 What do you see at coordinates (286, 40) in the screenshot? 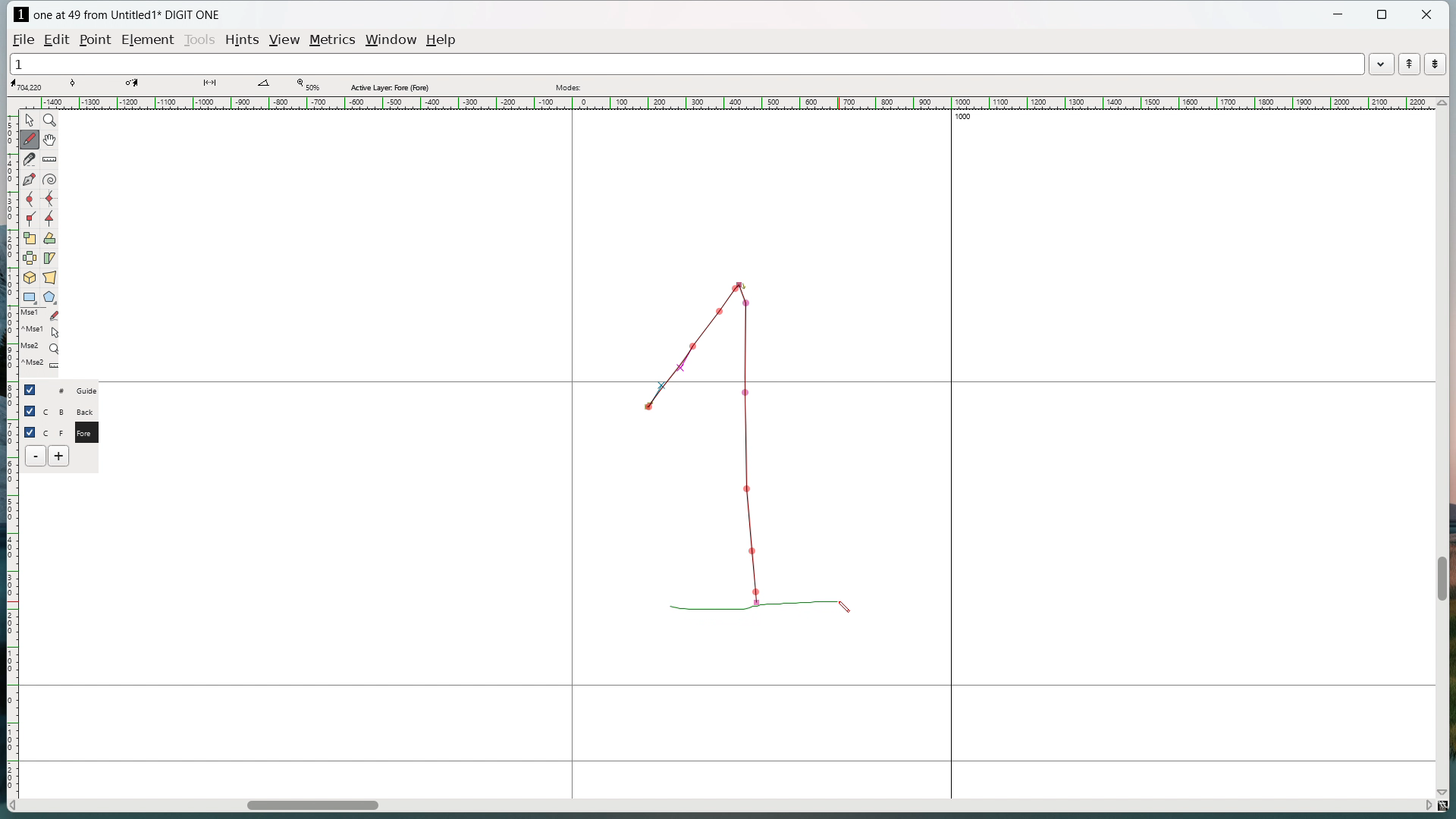
I see `view` at bounding box center [286, 40].